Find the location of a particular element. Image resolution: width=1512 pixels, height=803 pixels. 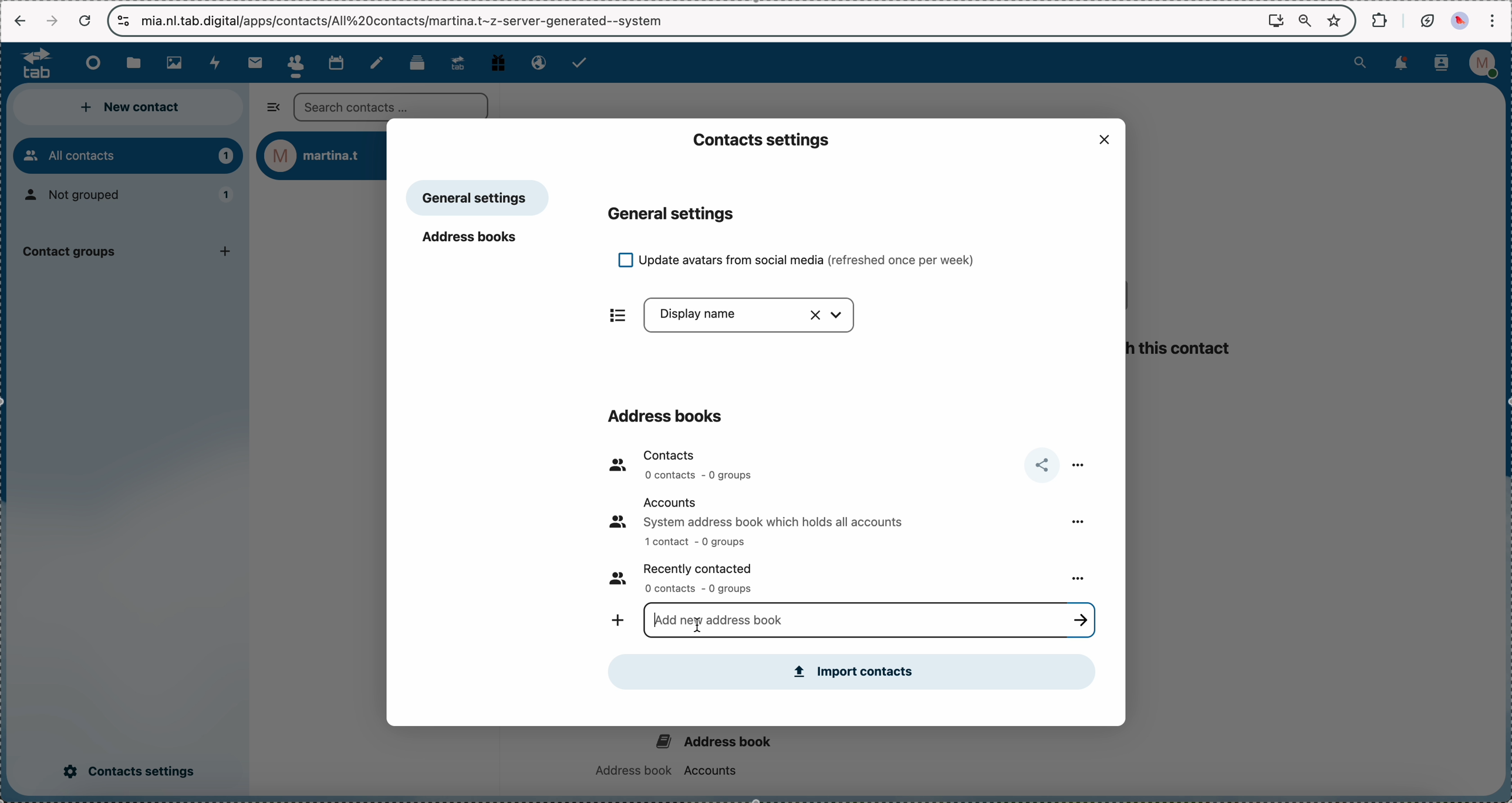

accounts is located at coordinates (772, 521).